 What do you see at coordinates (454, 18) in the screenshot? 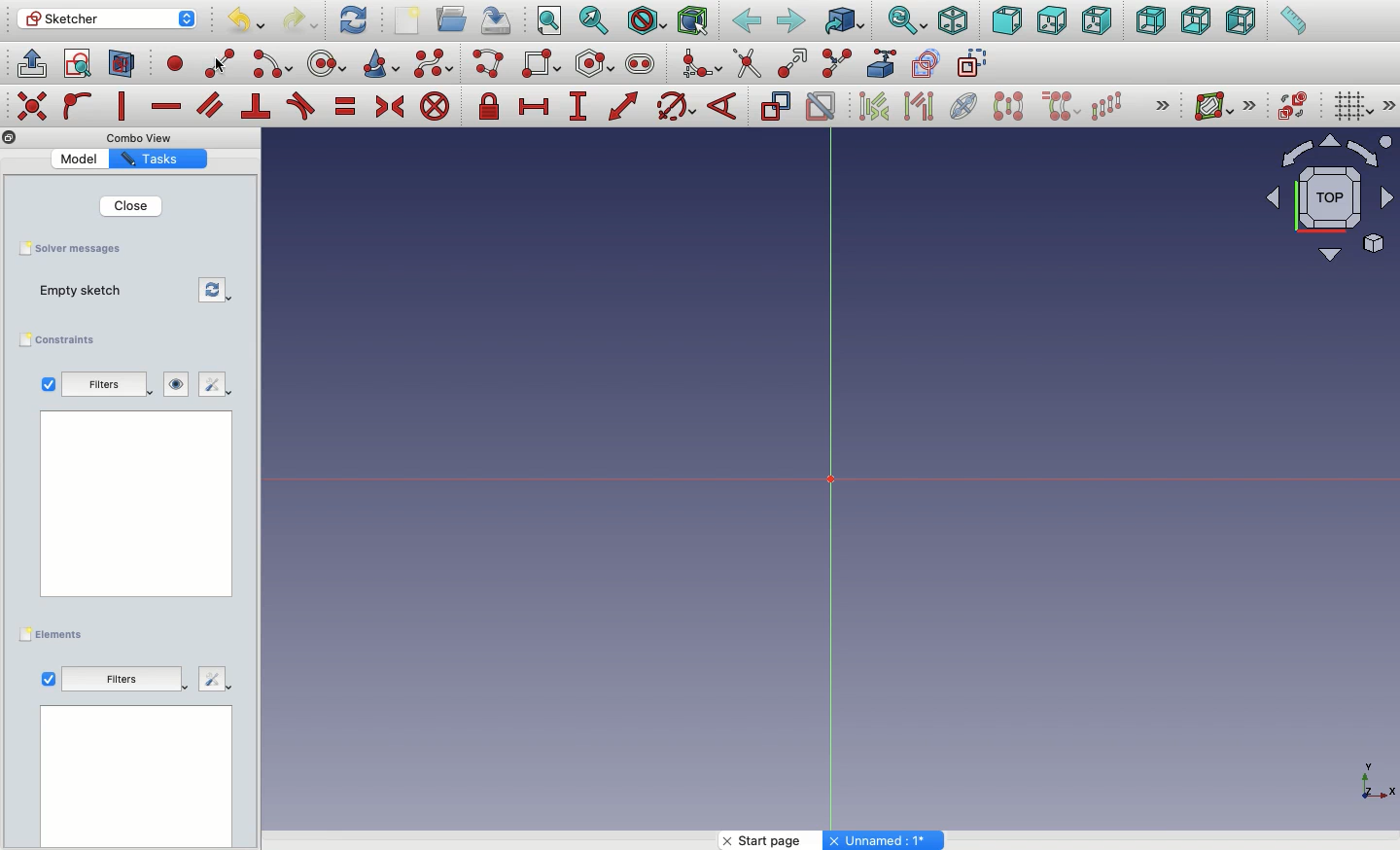
I see `Open` at bounding box center [454, 18].